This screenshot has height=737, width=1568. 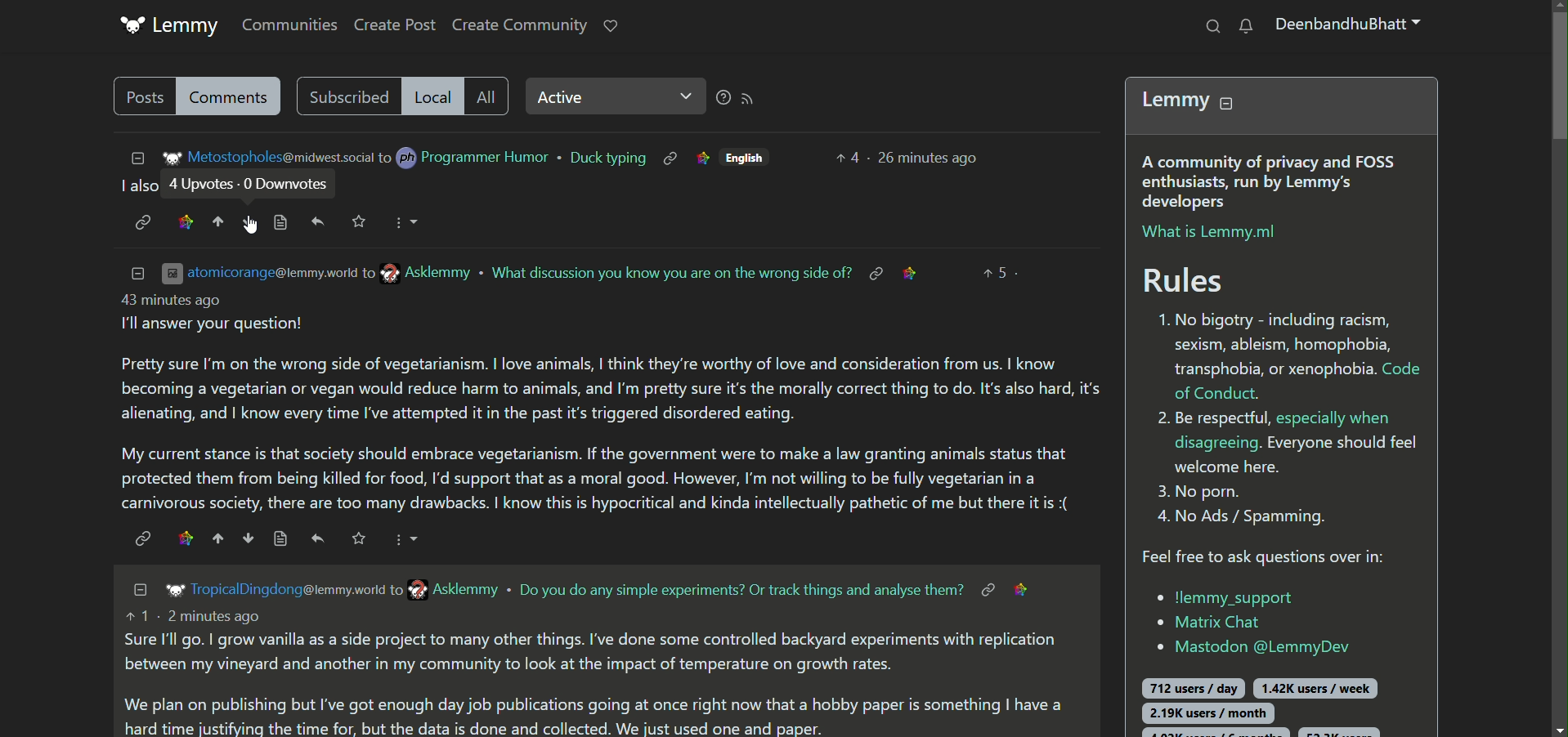 I want to click on hyperlink, so click(x=875, y=273).